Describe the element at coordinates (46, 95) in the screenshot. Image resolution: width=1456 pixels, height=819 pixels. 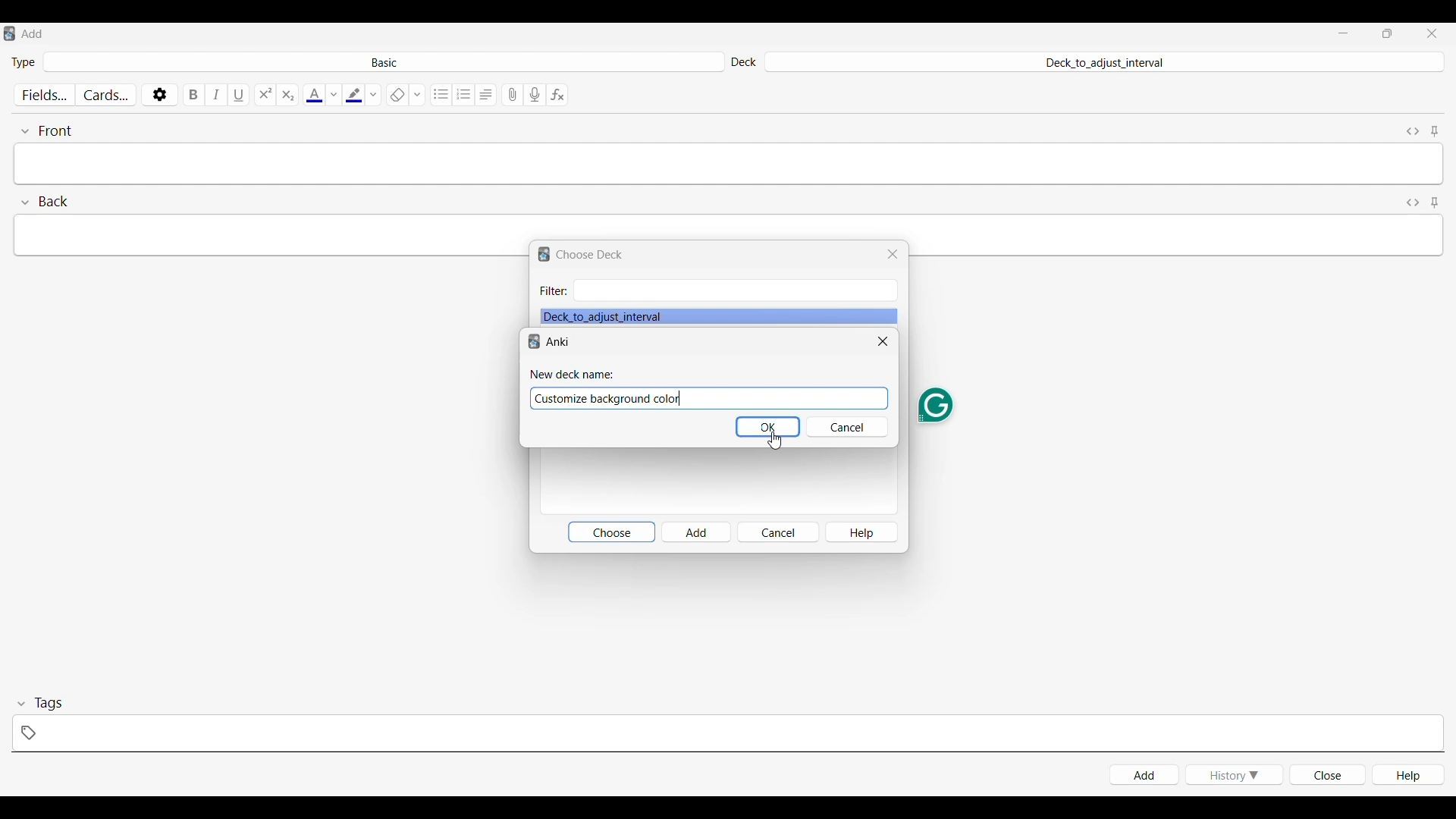
I see `Customize fields` at that location.